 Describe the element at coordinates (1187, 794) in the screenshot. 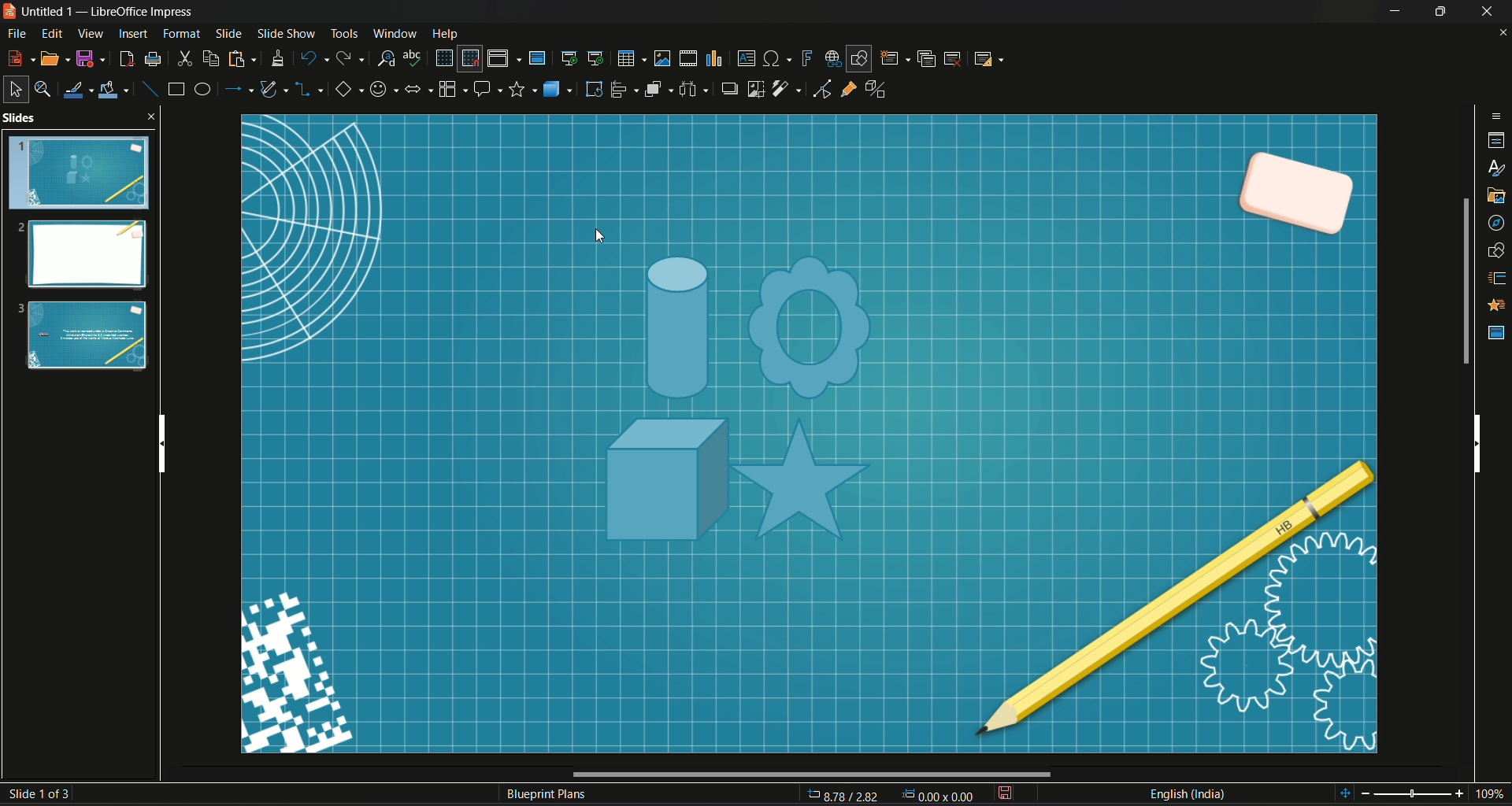

I see `Language` at that location.